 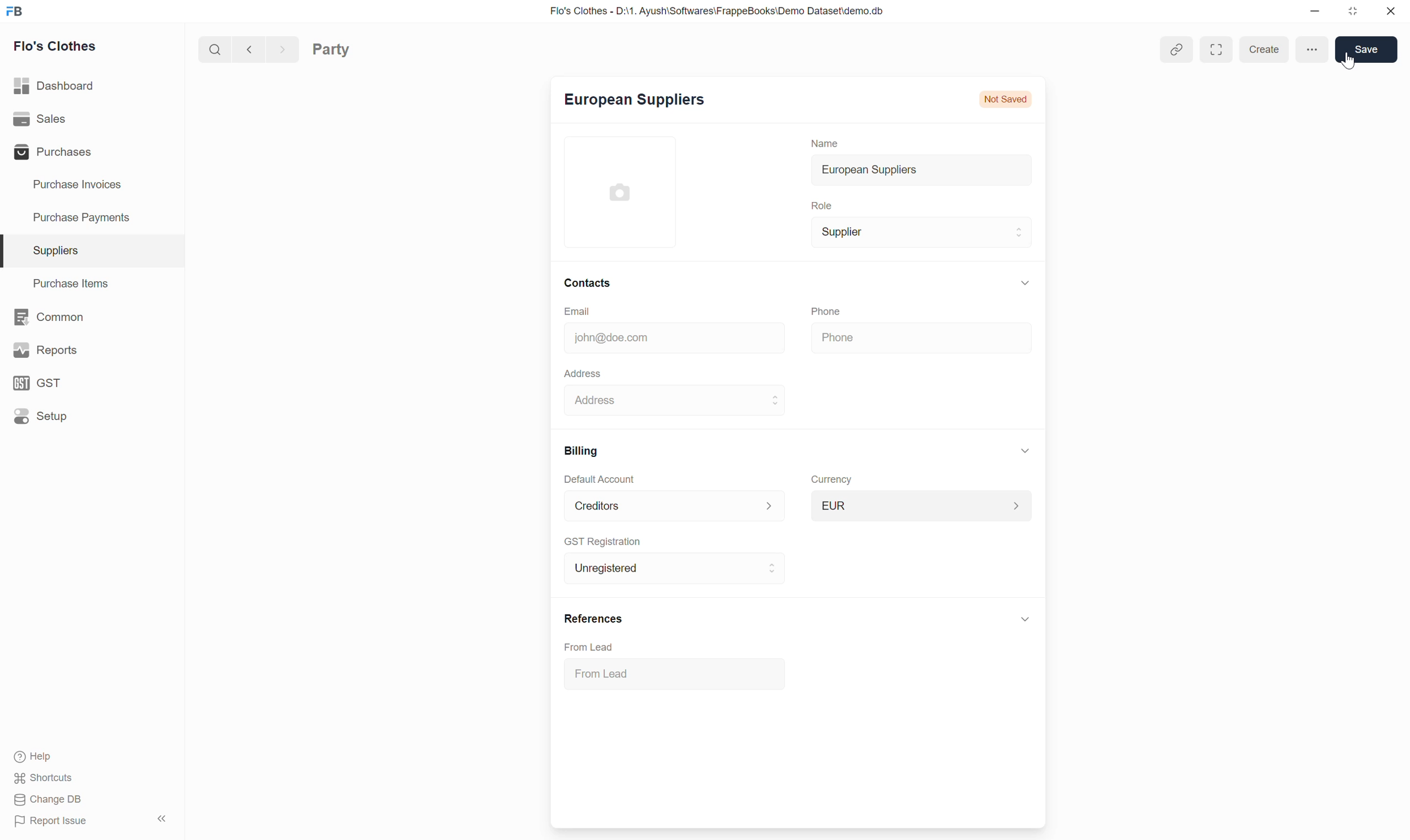 What do you see at coordinates (1350, 61) in the screenshot?
I see `cursor` at bounding box center [1350, 61].